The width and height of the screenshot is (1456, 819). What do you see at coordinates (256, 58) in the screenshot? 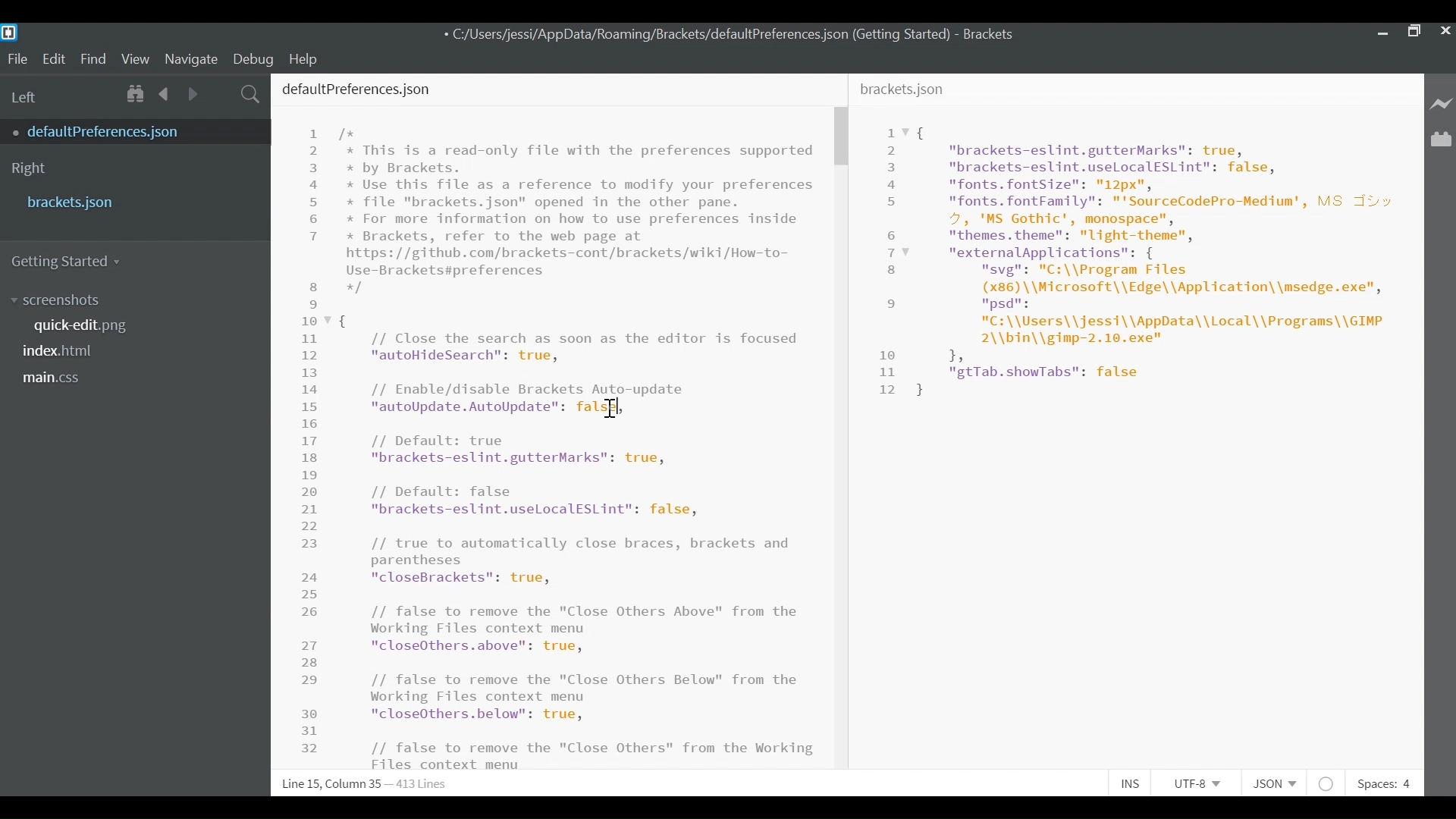
I see `Debug` at bounding box center [256, 58].